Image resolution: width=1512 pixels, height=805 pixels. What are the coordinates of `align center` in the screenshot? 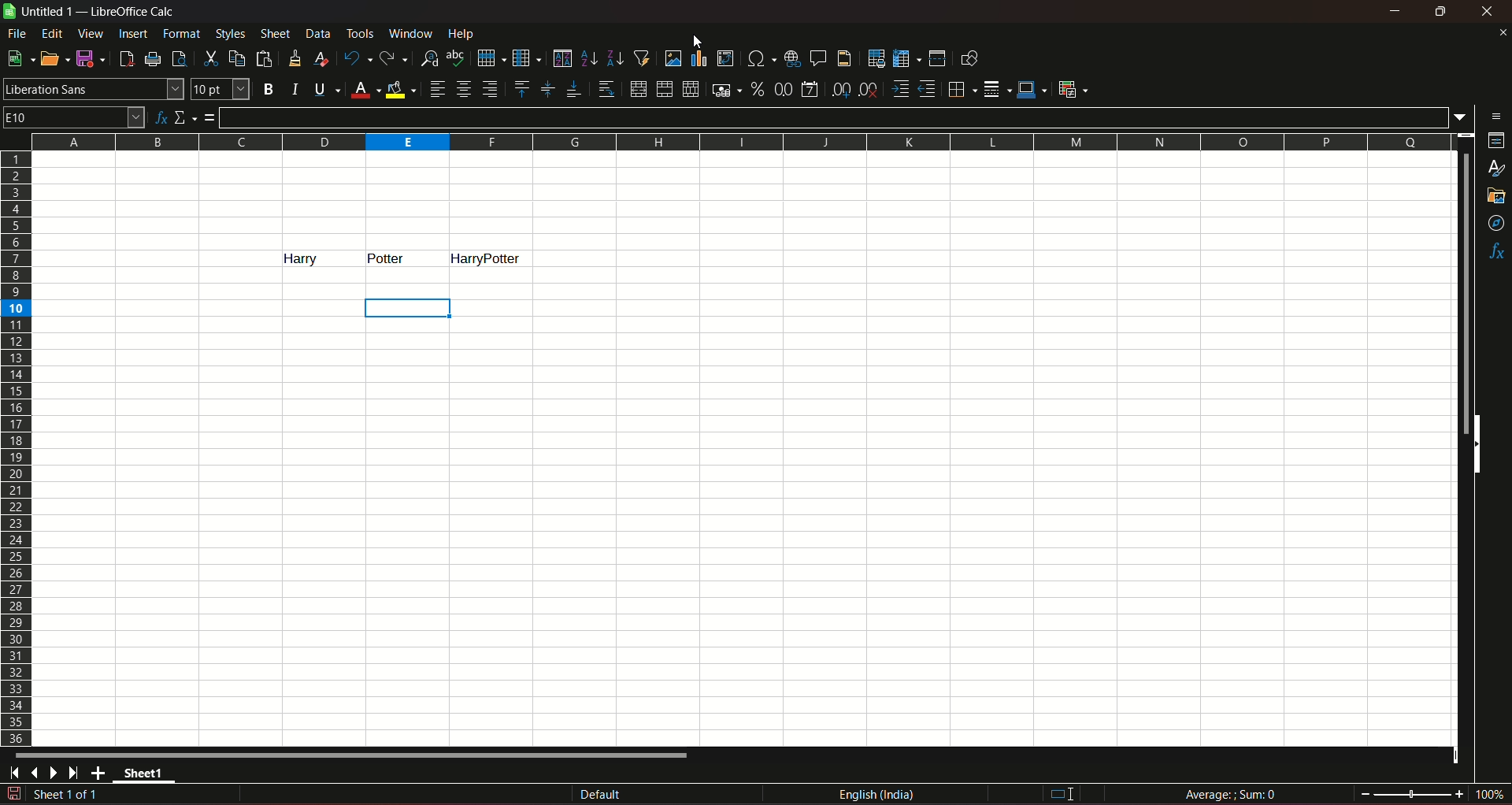 It's located at (464, 89).